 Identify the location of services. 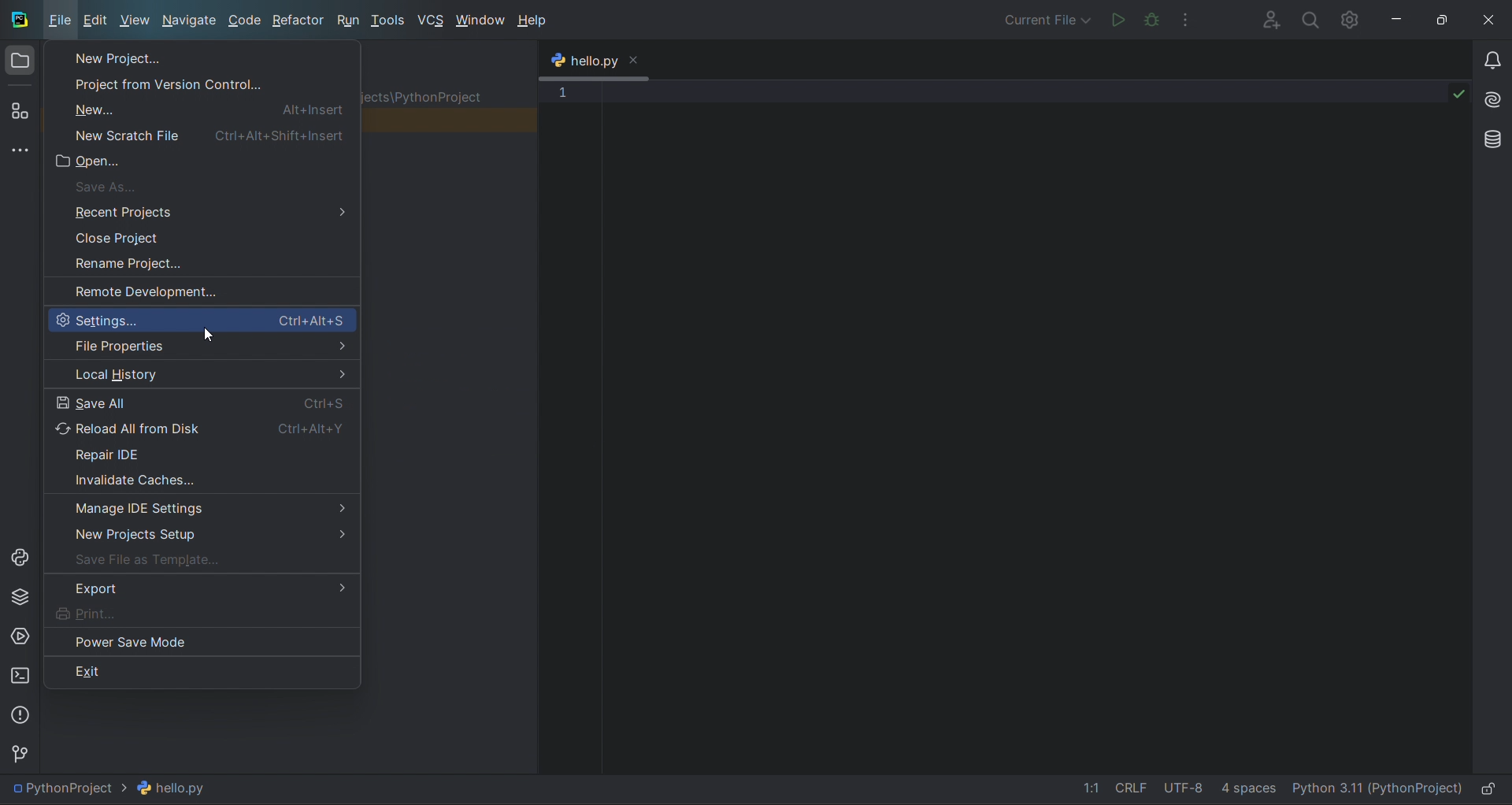
(22, 636).